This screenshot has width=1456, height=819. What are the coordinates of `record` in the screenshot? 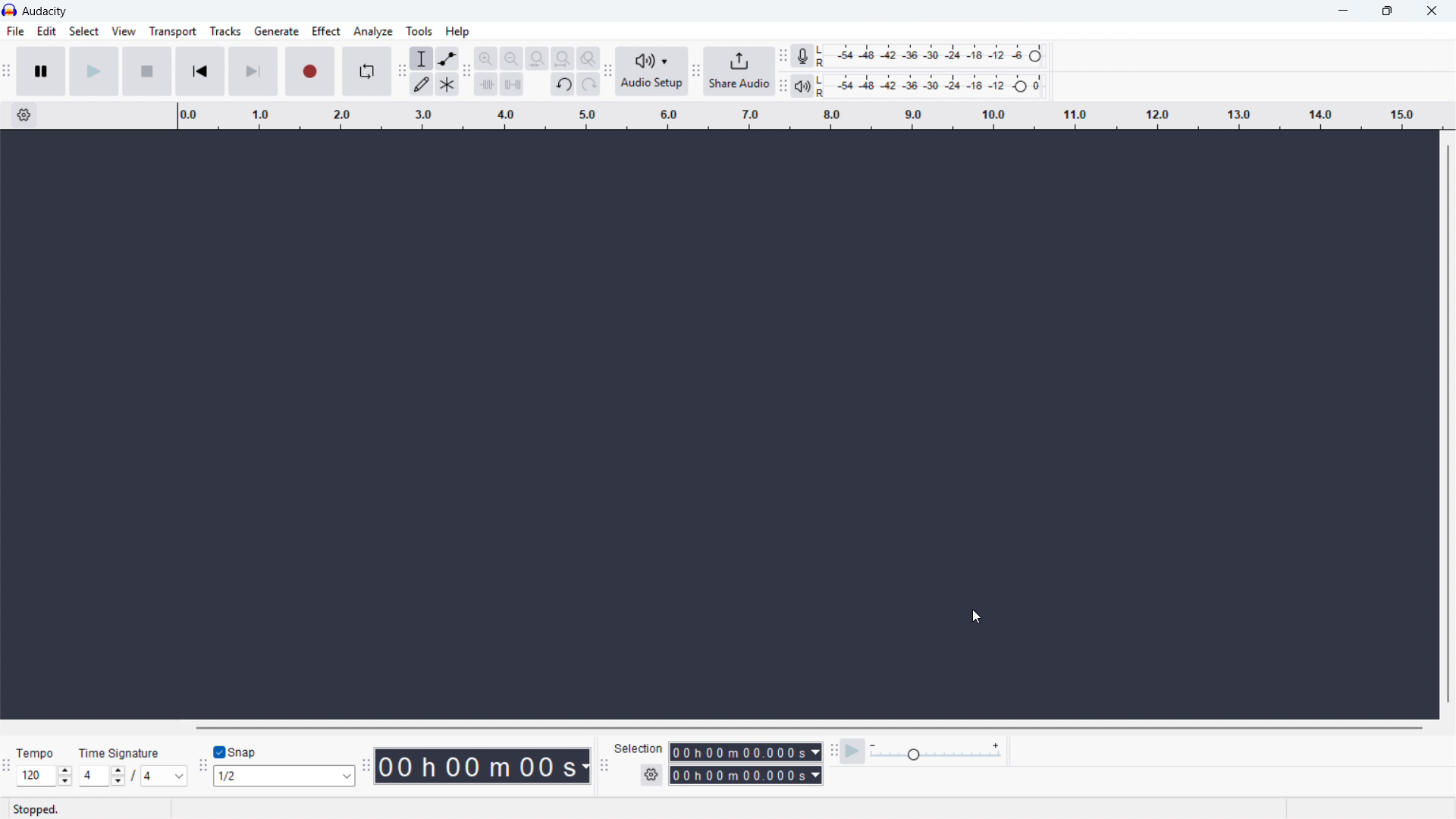 It's located at (309, 71).